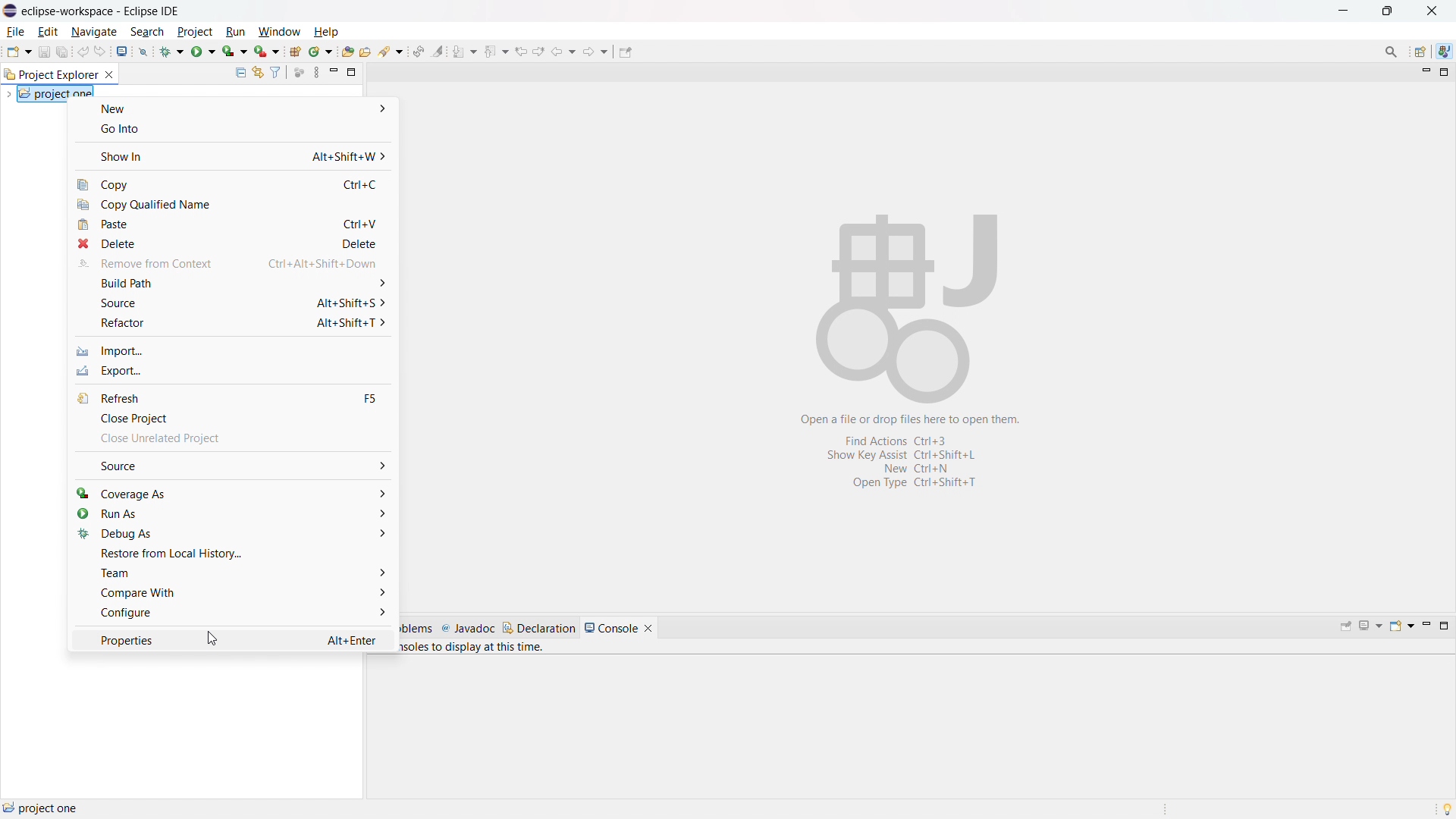  What do you see at coordinates (908, 469) in the screenshot?
I see `new ctrl+N` at bounding box center [908, 469].